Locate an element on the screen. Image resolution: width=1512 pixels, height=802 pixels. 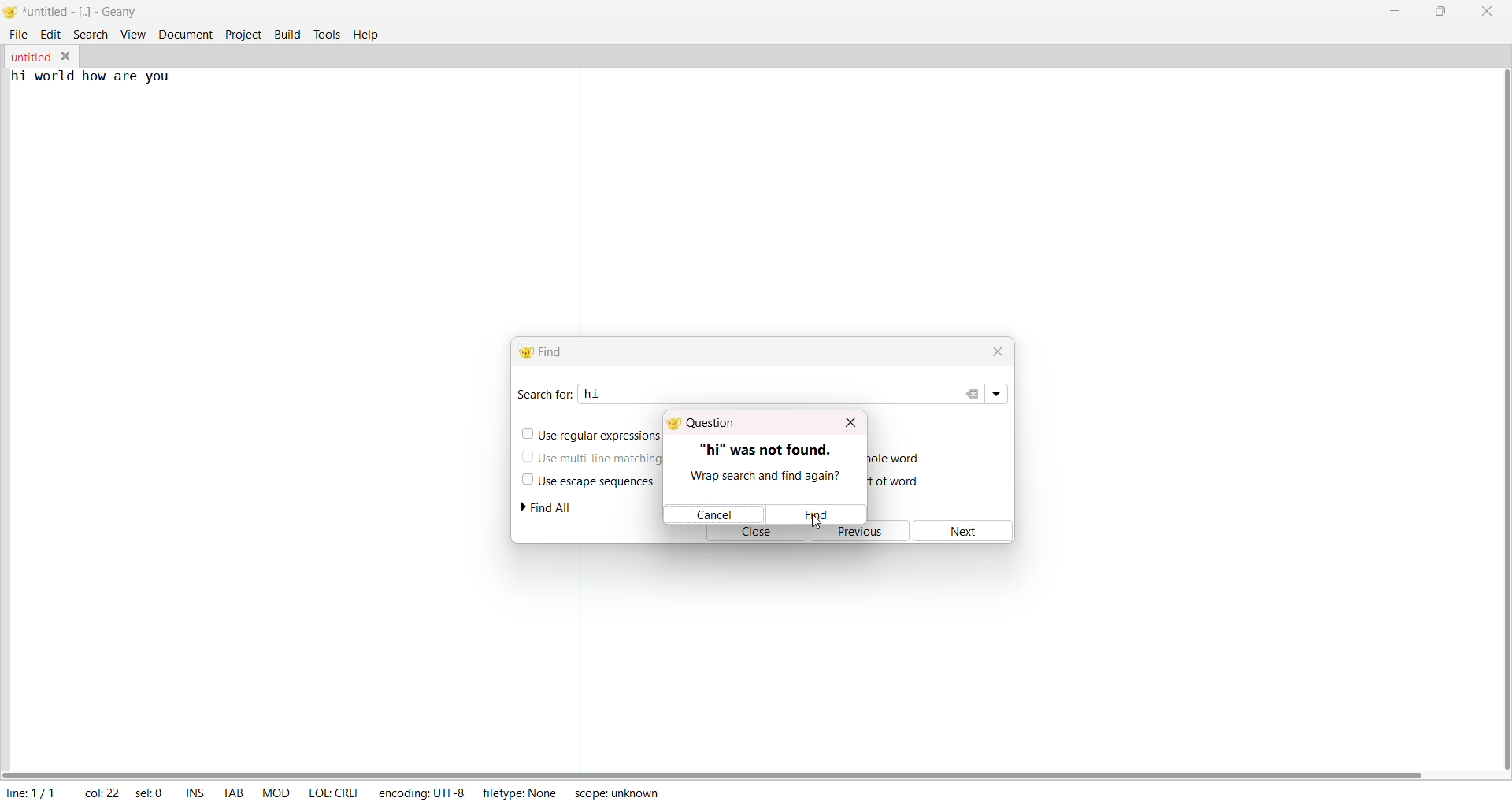
sel: 0 is located at coordinates (151, 793).